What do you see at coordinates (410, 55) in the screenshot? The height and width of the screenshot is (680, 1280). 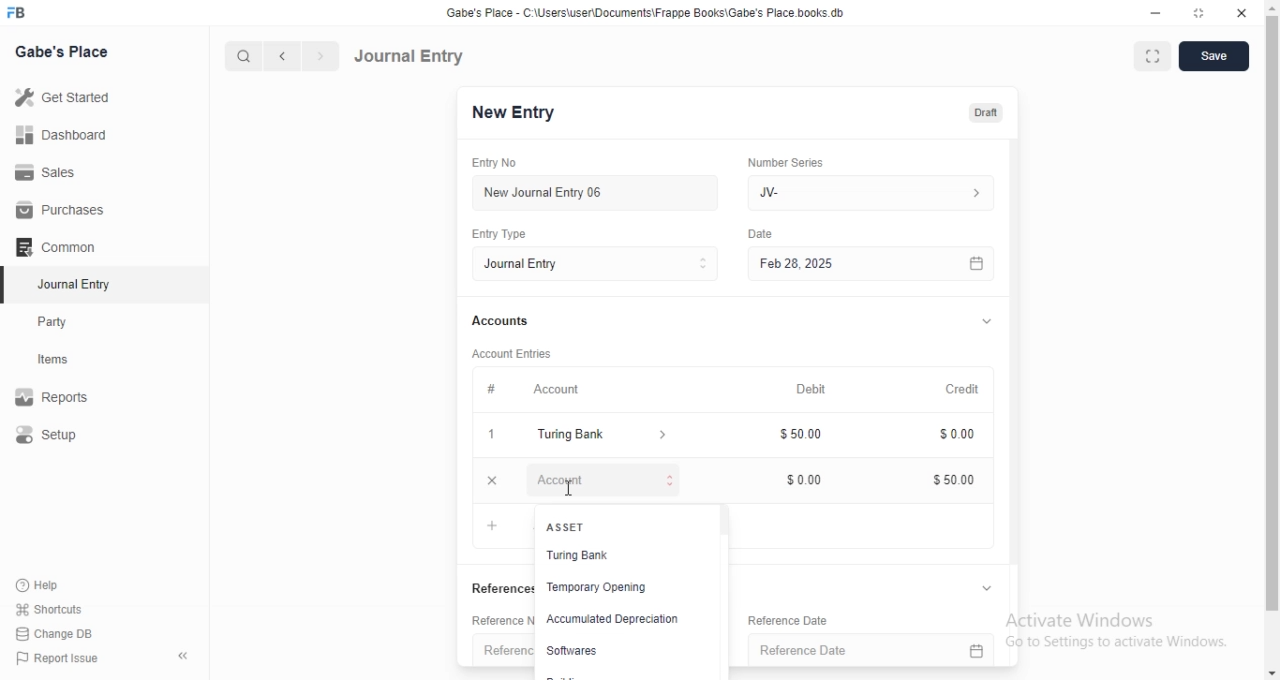 I see `Journal Entry` at bounding box center [410, 55].